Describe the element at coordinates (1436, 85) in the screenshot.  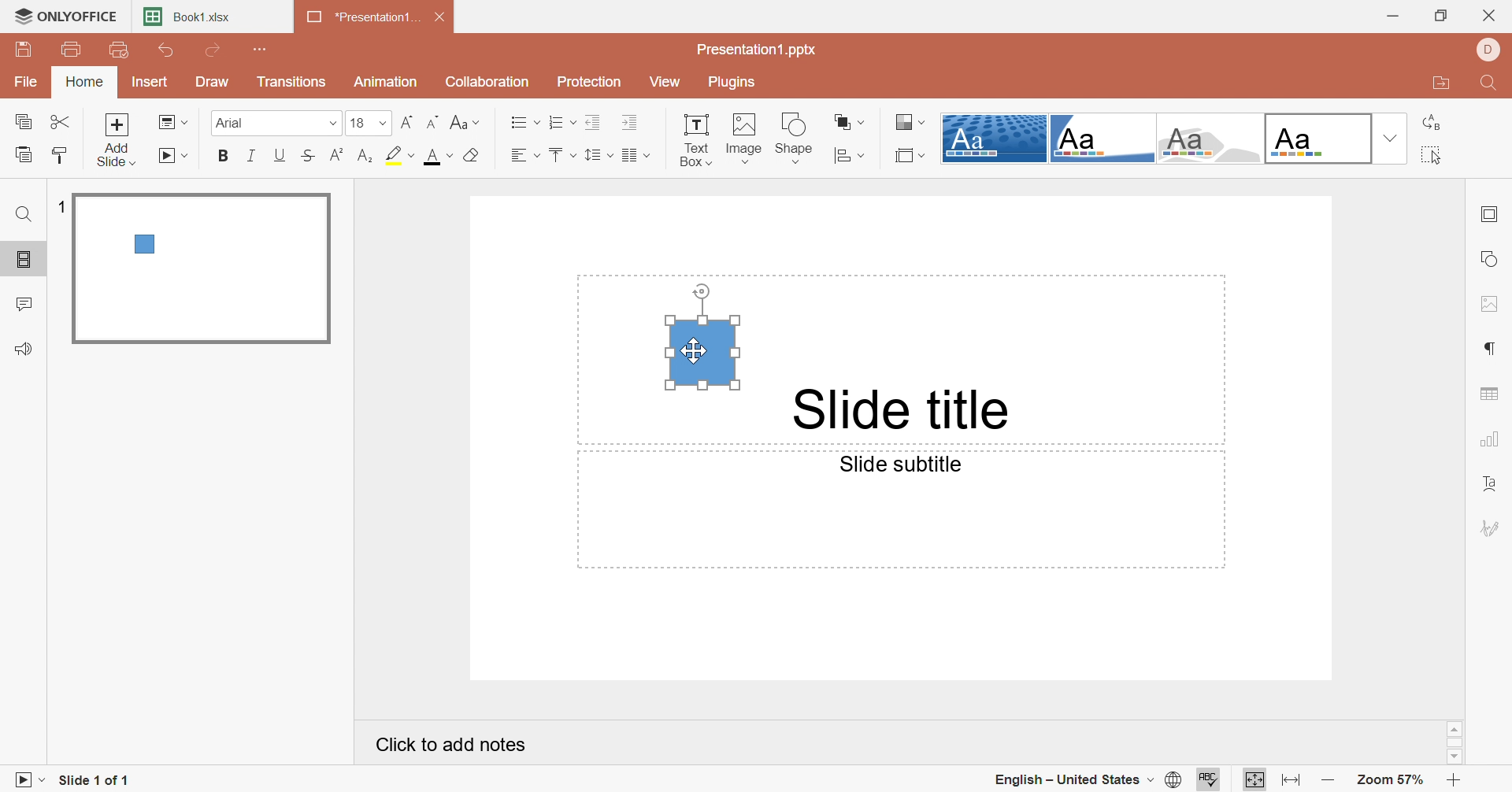
I see `Open file location` at that location.